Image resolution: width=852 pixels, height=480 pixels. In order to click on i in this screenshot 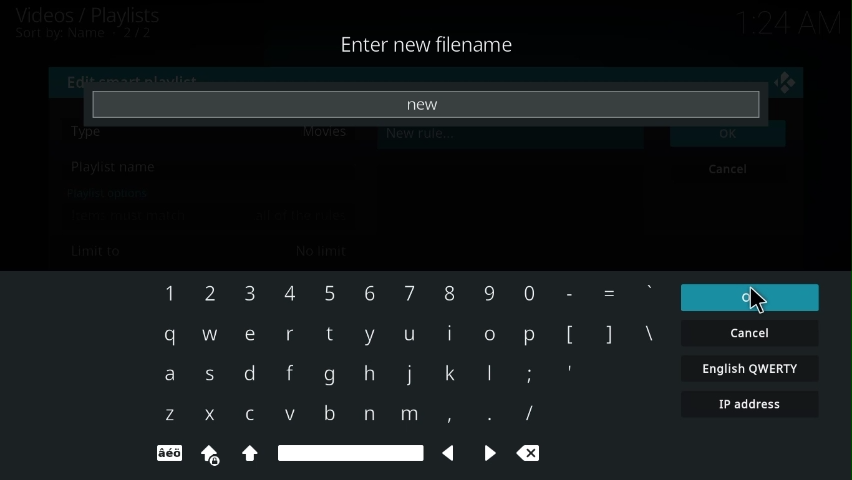, I will do `click(449, 332)`.